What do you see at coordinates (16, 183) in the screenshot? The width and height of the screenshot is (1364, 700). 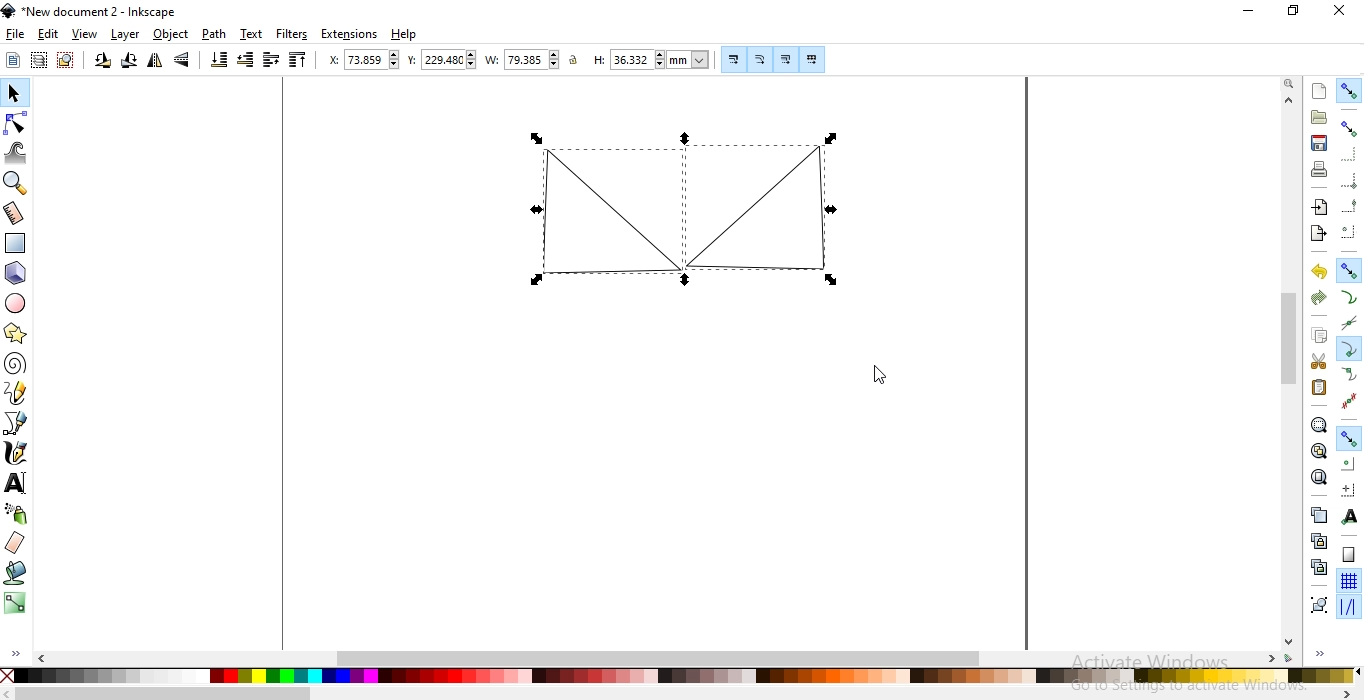 I see `zoom in or out` at bounding box center [16, 183].